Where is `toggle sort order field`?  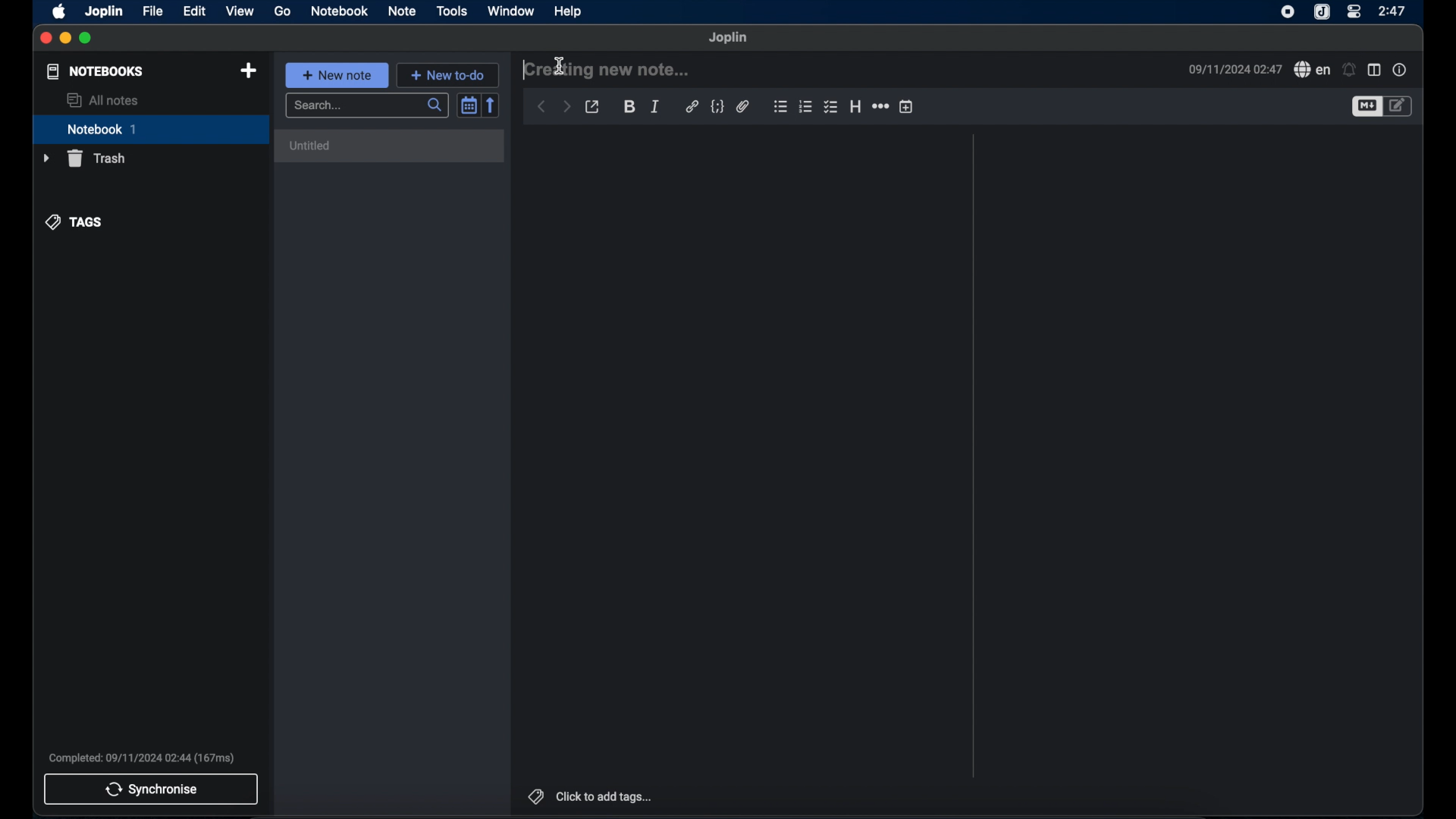
toggle sort order field is located at coordinates (468, 105).